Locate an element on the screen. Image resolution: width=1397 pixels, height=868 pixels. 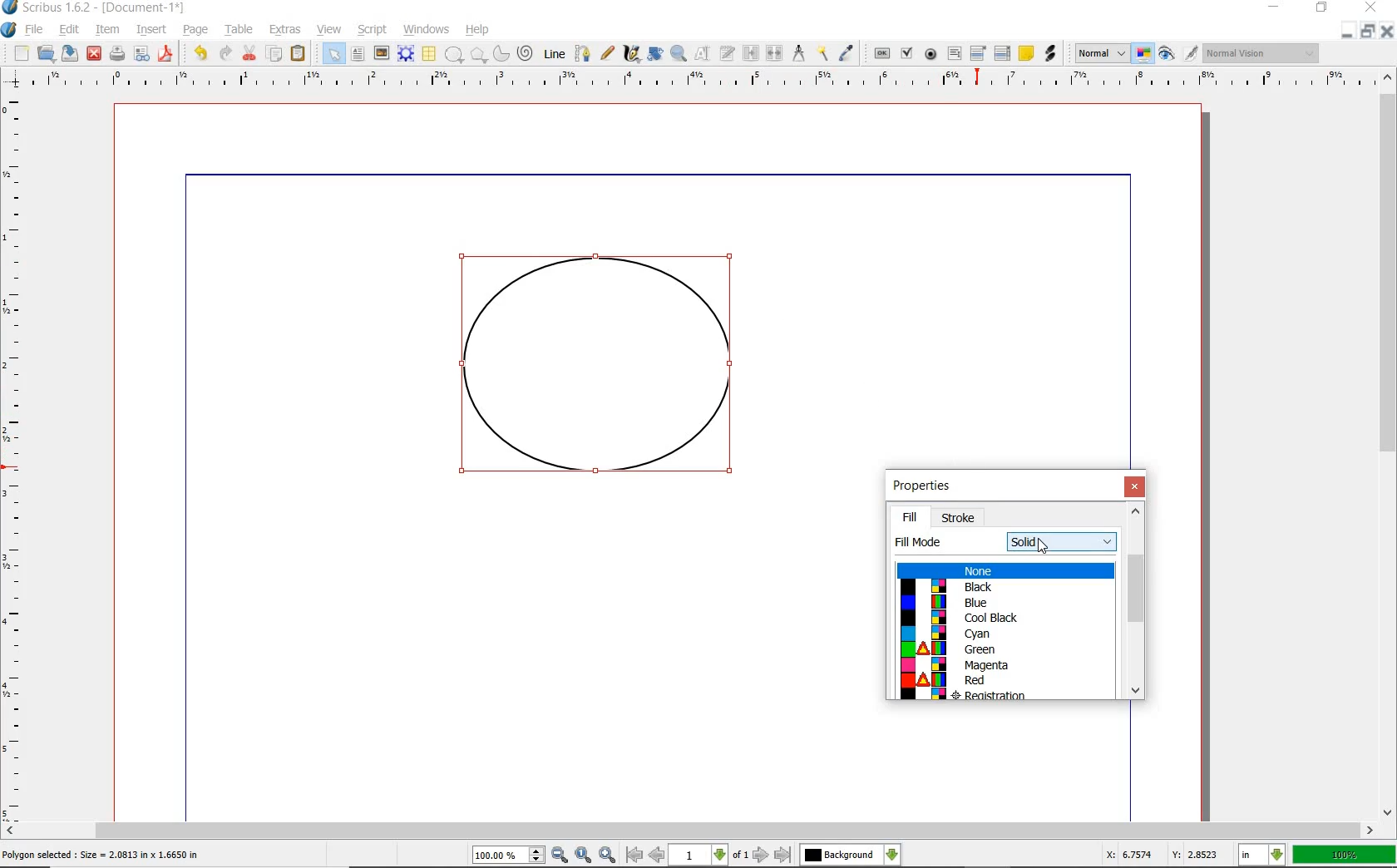
zoom in is located at coordinates (560, 856).